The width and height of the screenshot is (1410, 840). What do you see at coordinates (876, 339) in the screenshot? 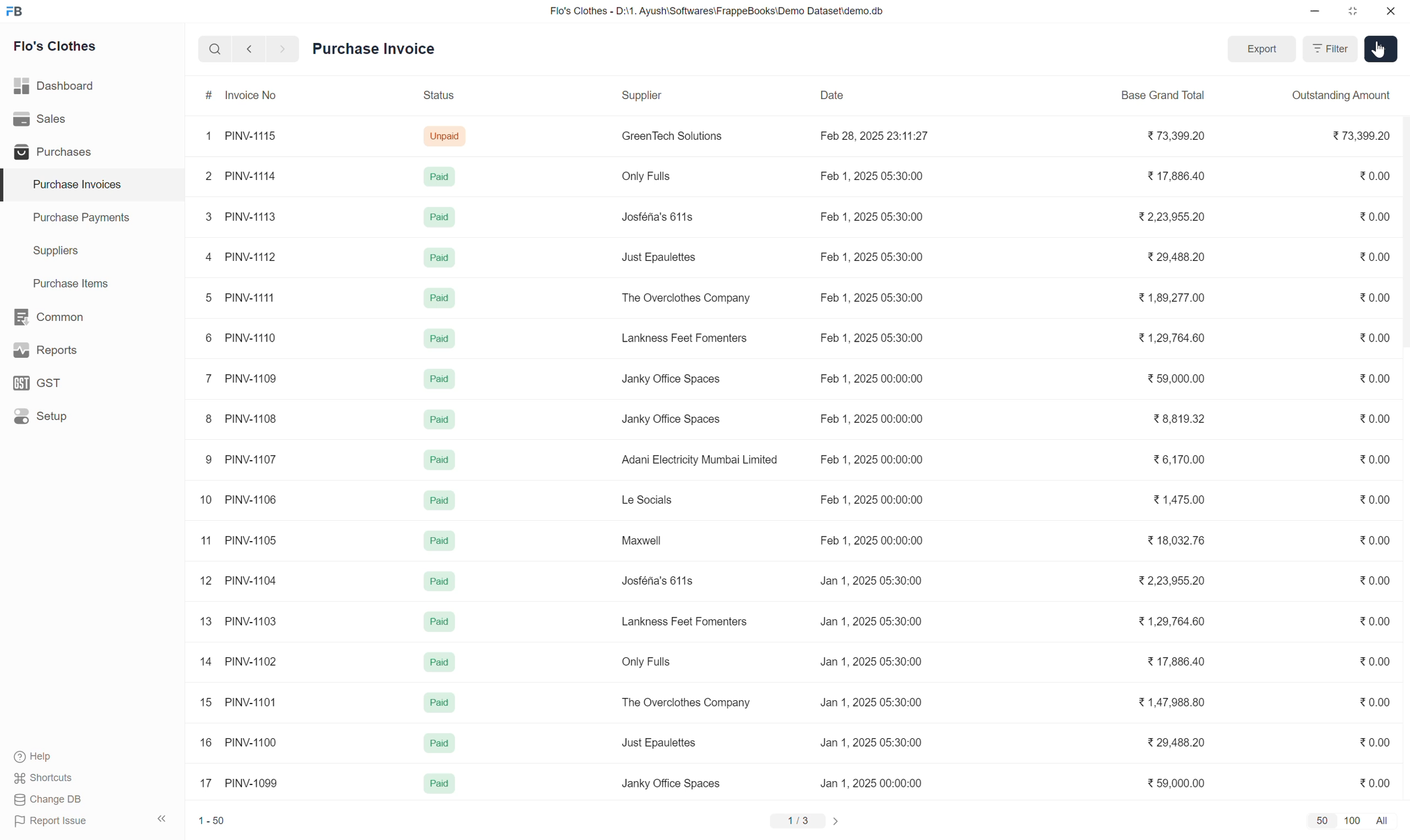
I see `Feb 1, 2025 05:30:00` at bounding box center [876, 339].